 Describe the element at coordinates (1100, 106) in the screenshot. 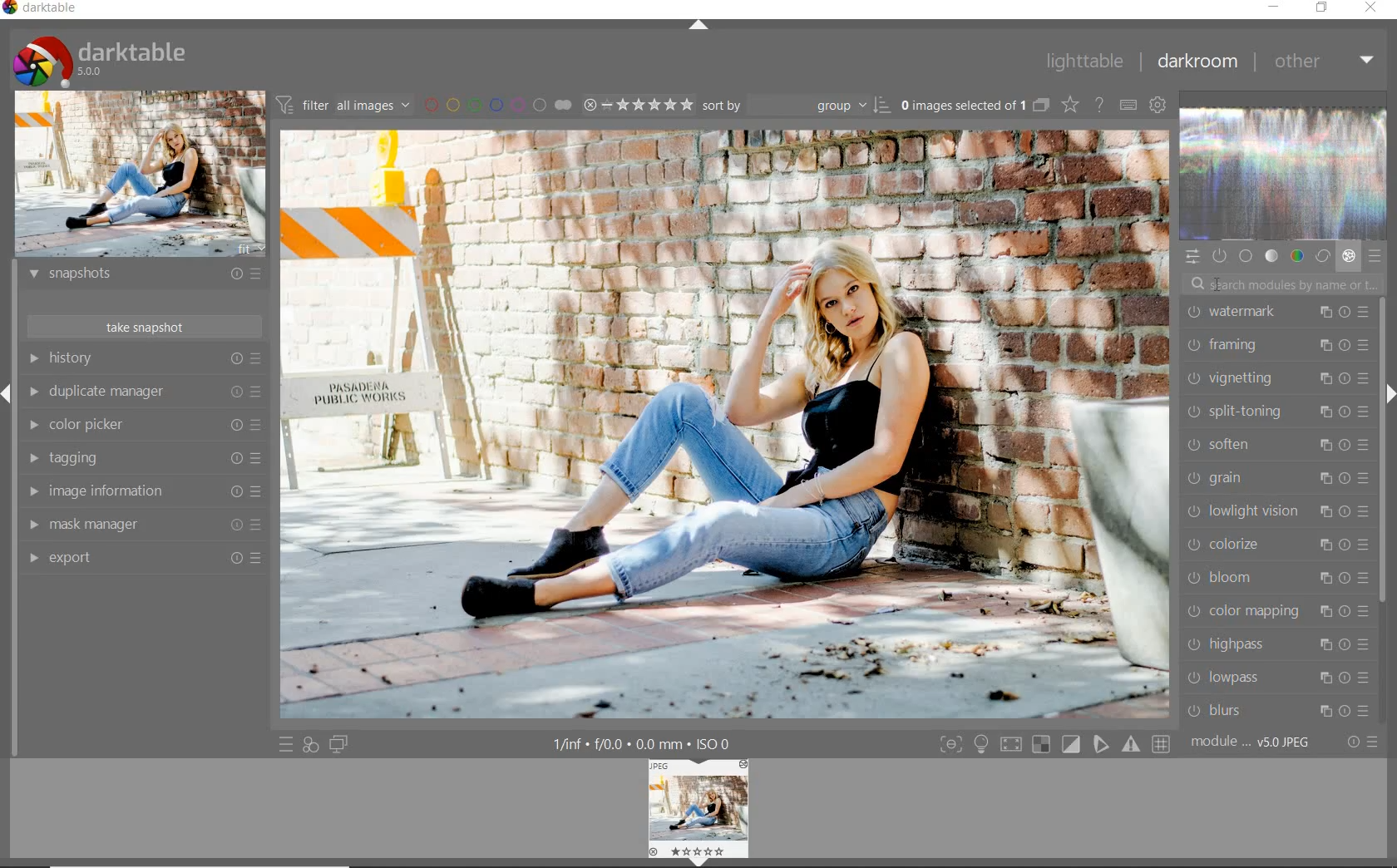

I see `enable online help` at that location.